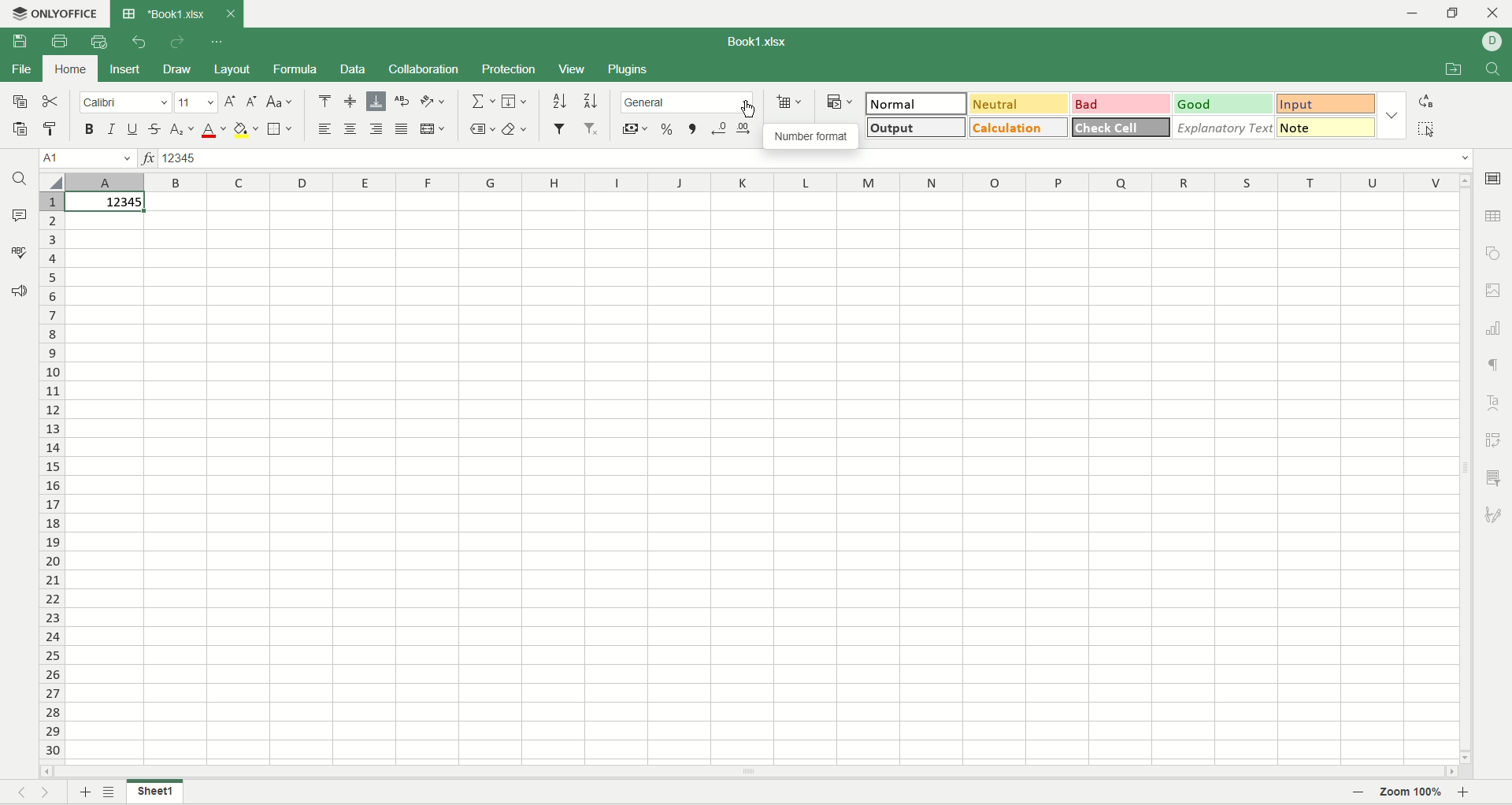 The image size is (1512, 805). Describe the element at coordinates (126, 72) in the screenshot. I see `insert ` at that location.